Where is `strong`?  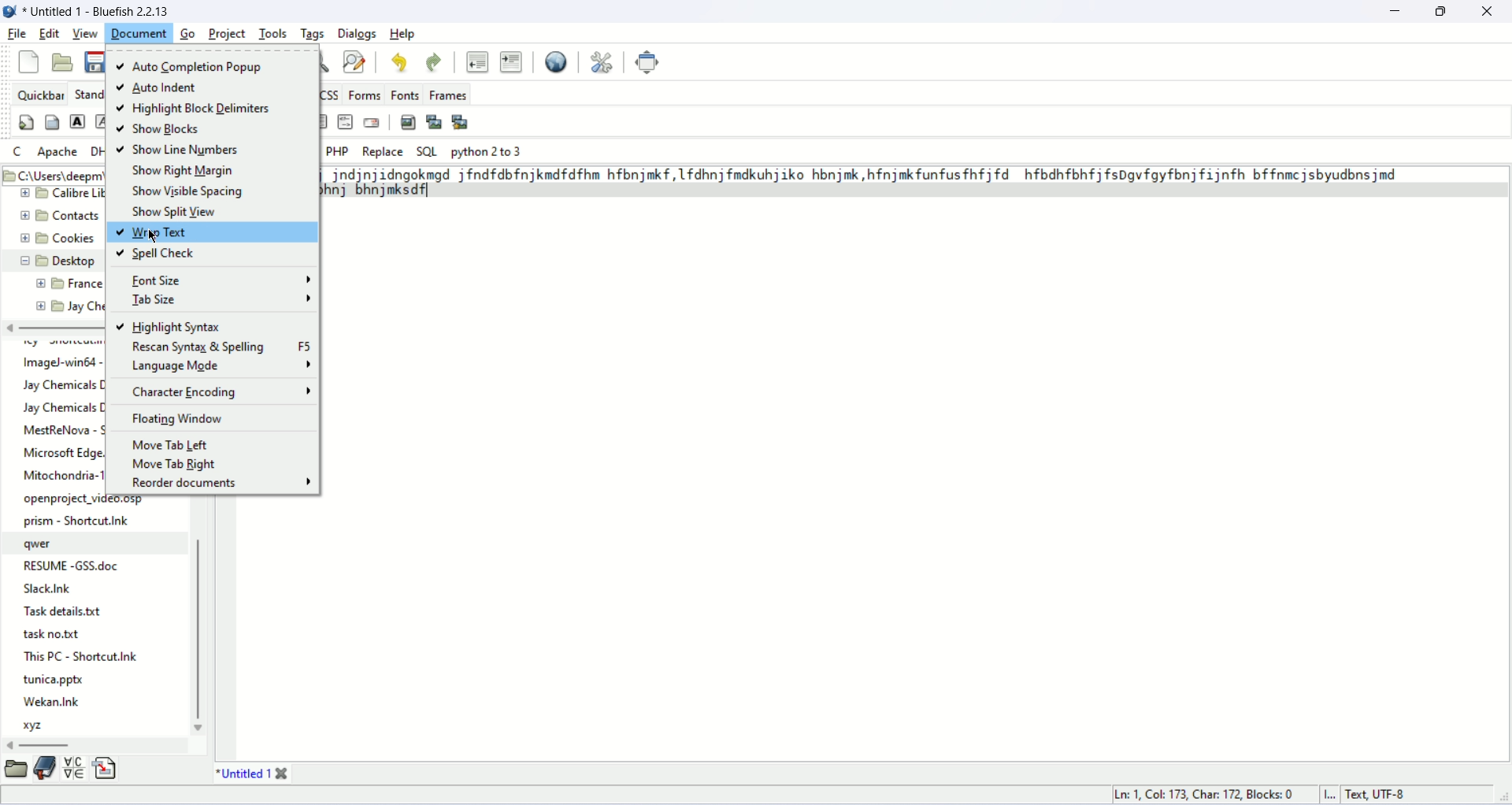 strong is located at coordinates (78, 121).